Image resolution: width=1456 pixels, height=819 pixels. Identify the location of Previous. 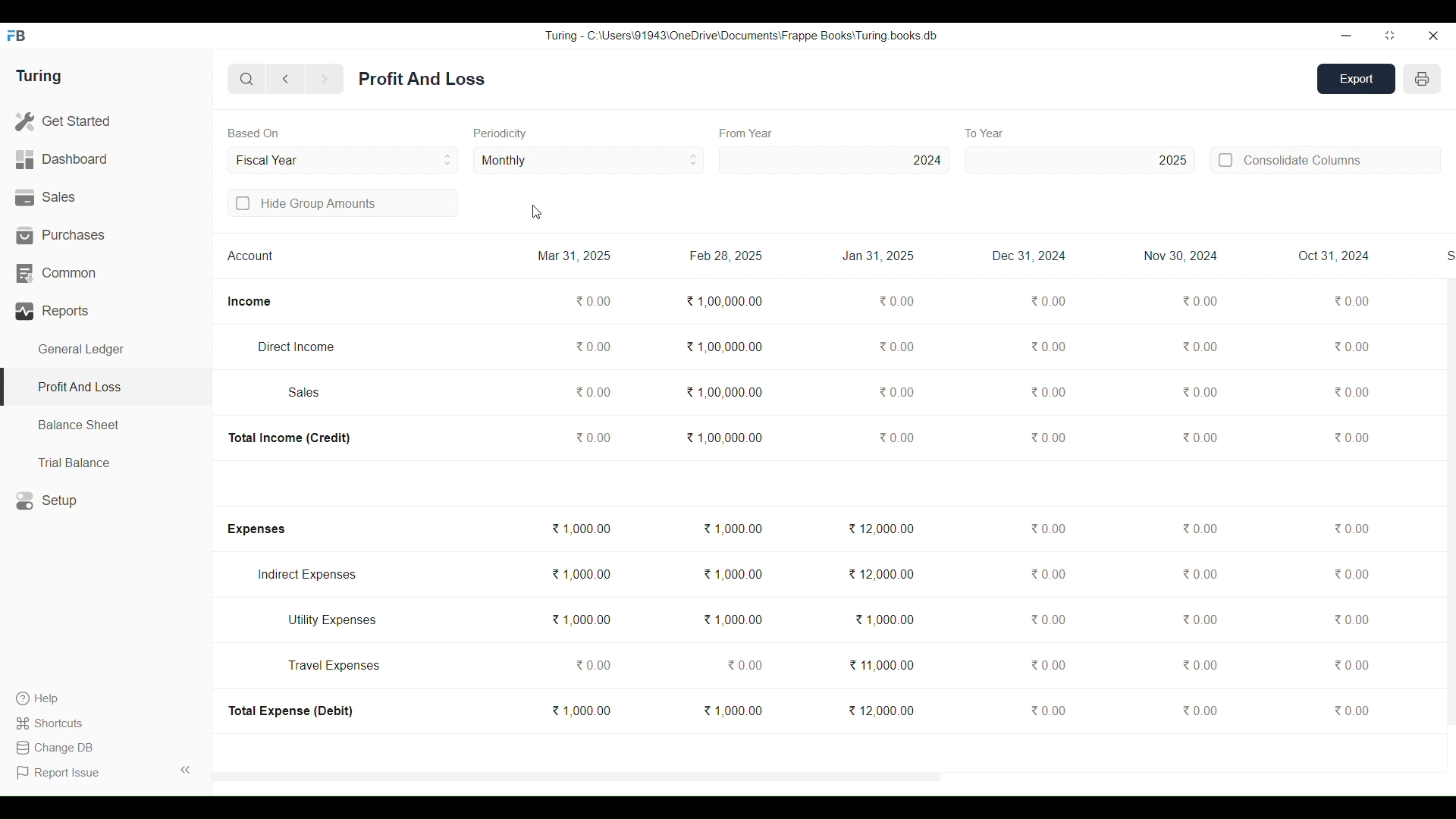
(287, 79).